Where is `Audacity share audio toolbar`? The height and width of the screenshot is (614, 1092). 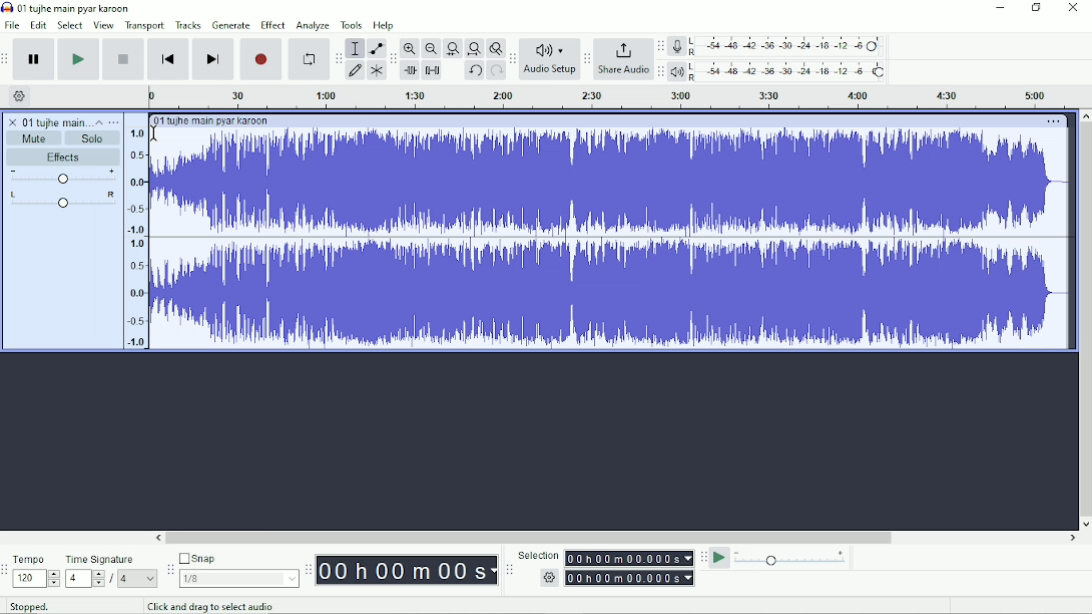 Audacity share audio toolbar is located at coordinates (587, 58).